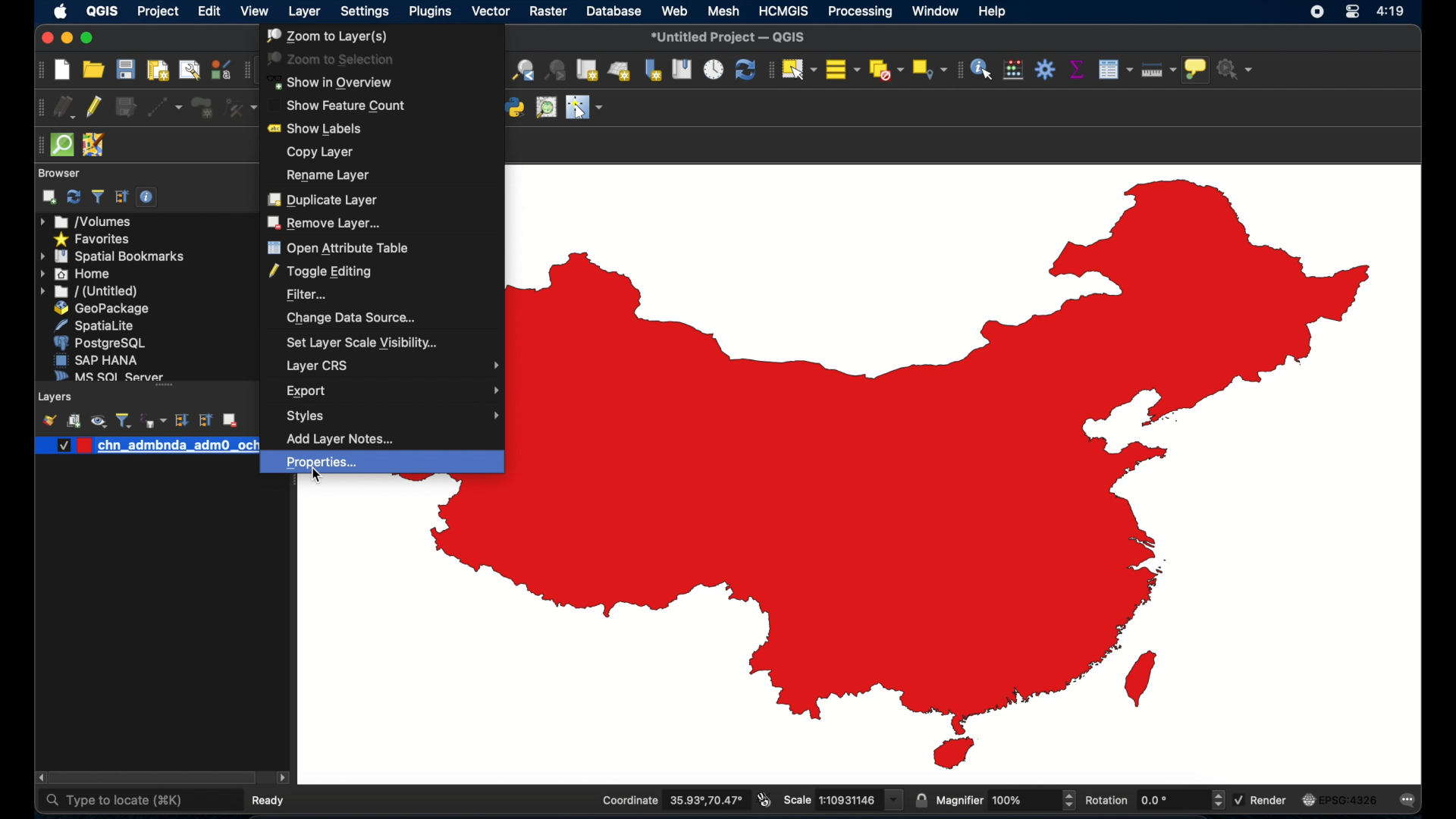 The height and width of the screenshot is (819, 1456). Describe the element at coordinates (155, 420) in the screenshot. I see `filter legend by expression` at that location.